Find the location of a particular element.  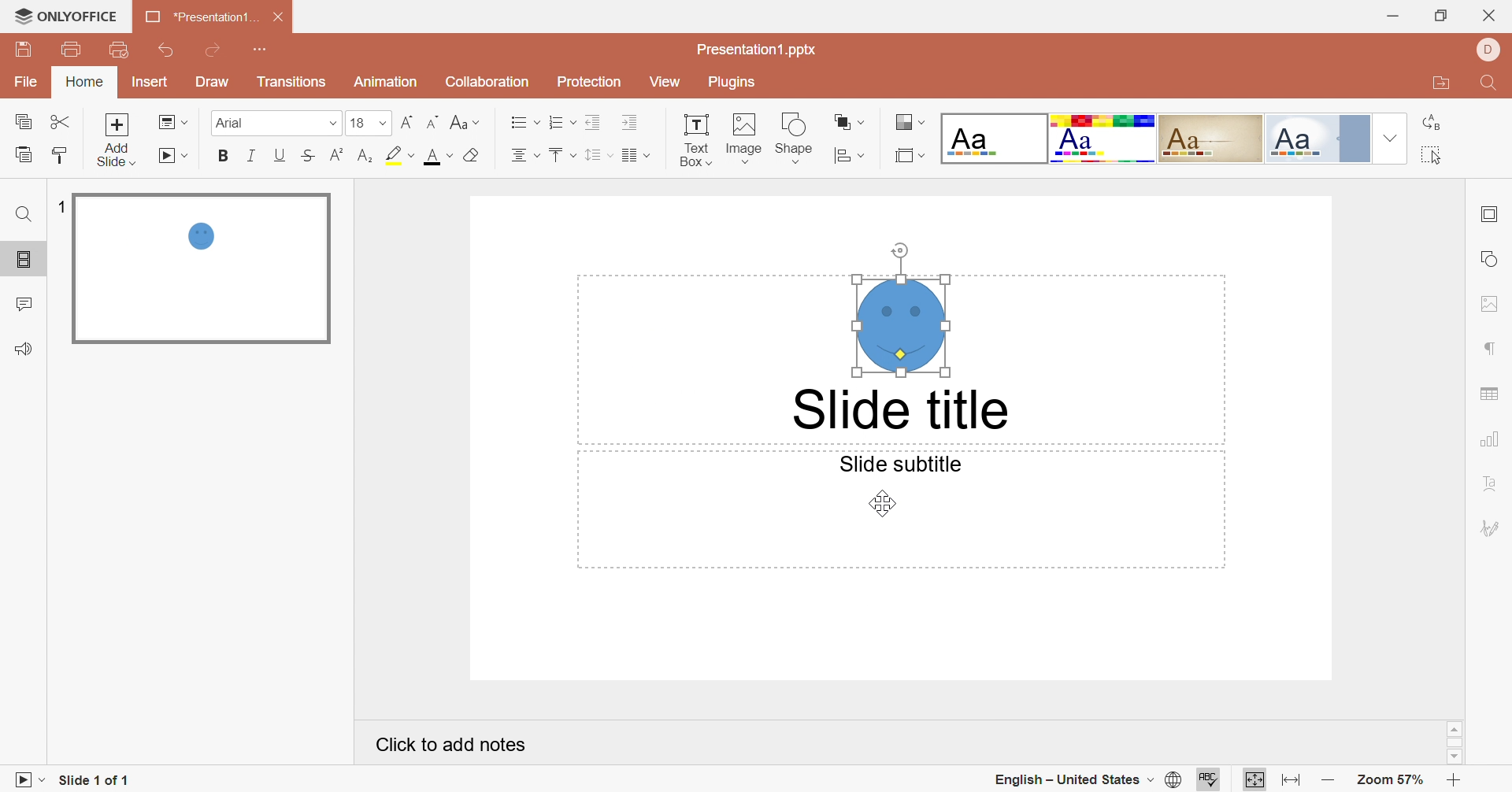

Collaboration is located at coordinates (484, 82).